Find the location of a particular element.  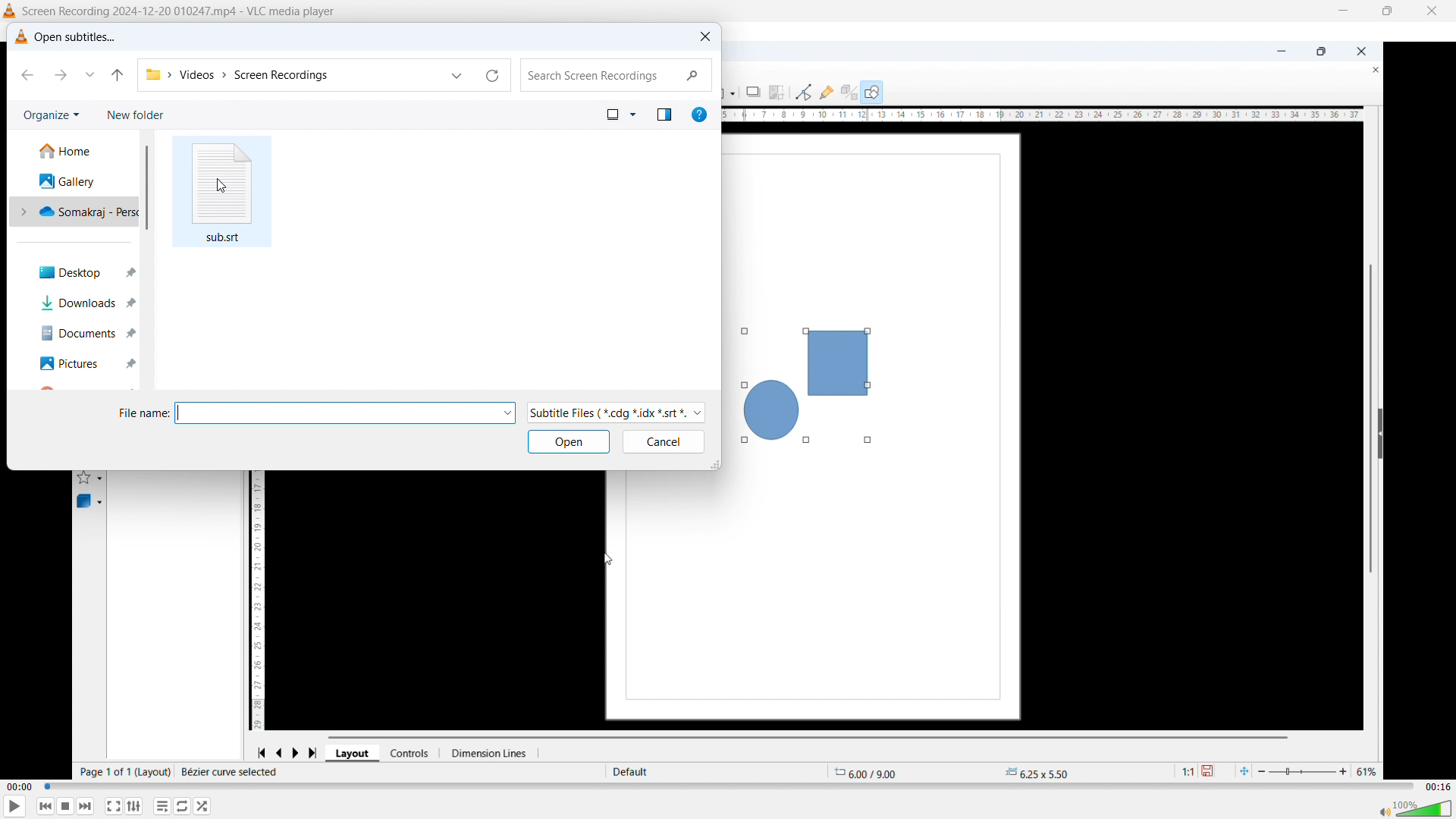

zoom is located at coordinates (1321, 769).